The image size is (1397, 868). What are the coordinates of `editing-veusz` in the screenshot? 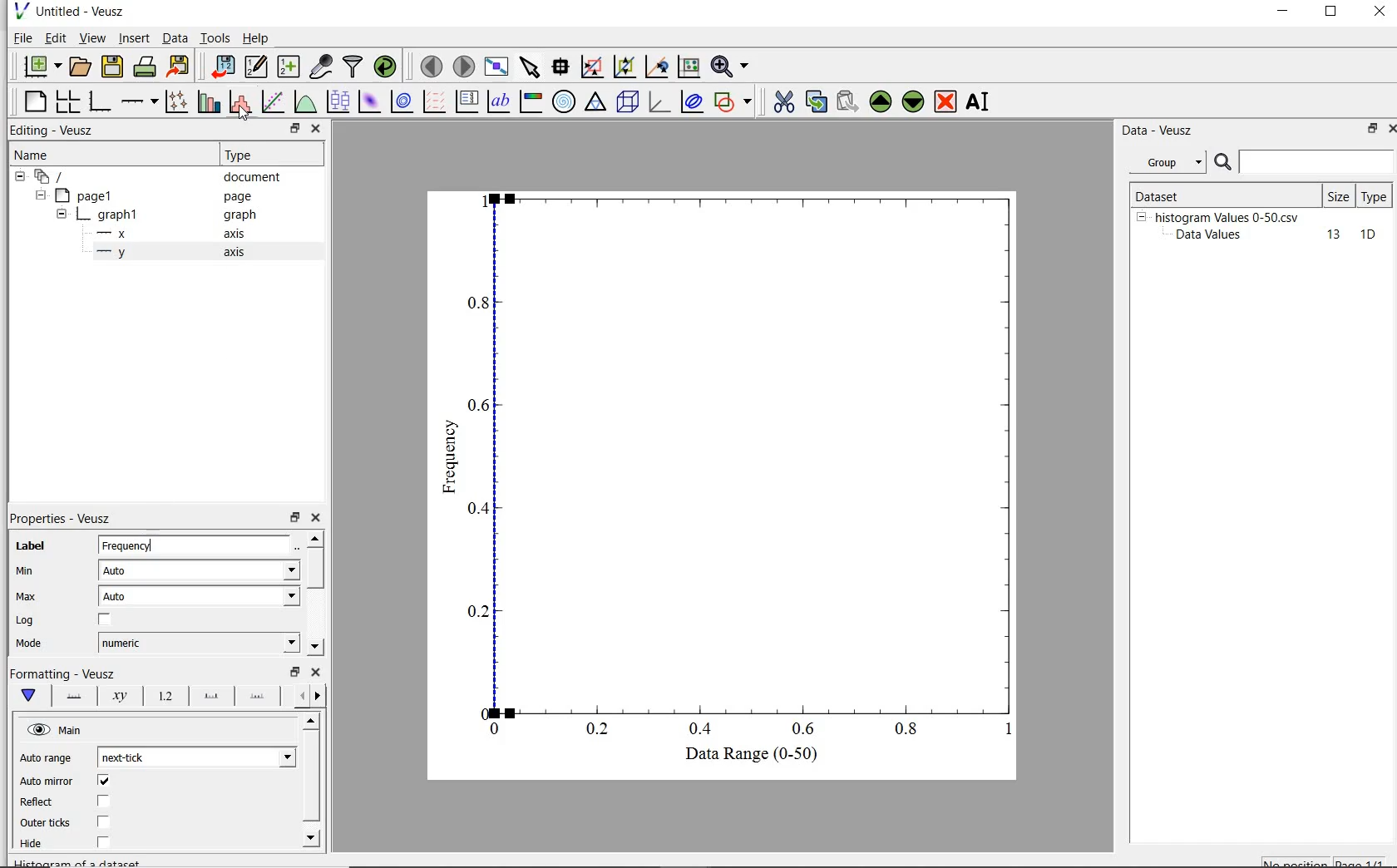 It's located at (52, 131).